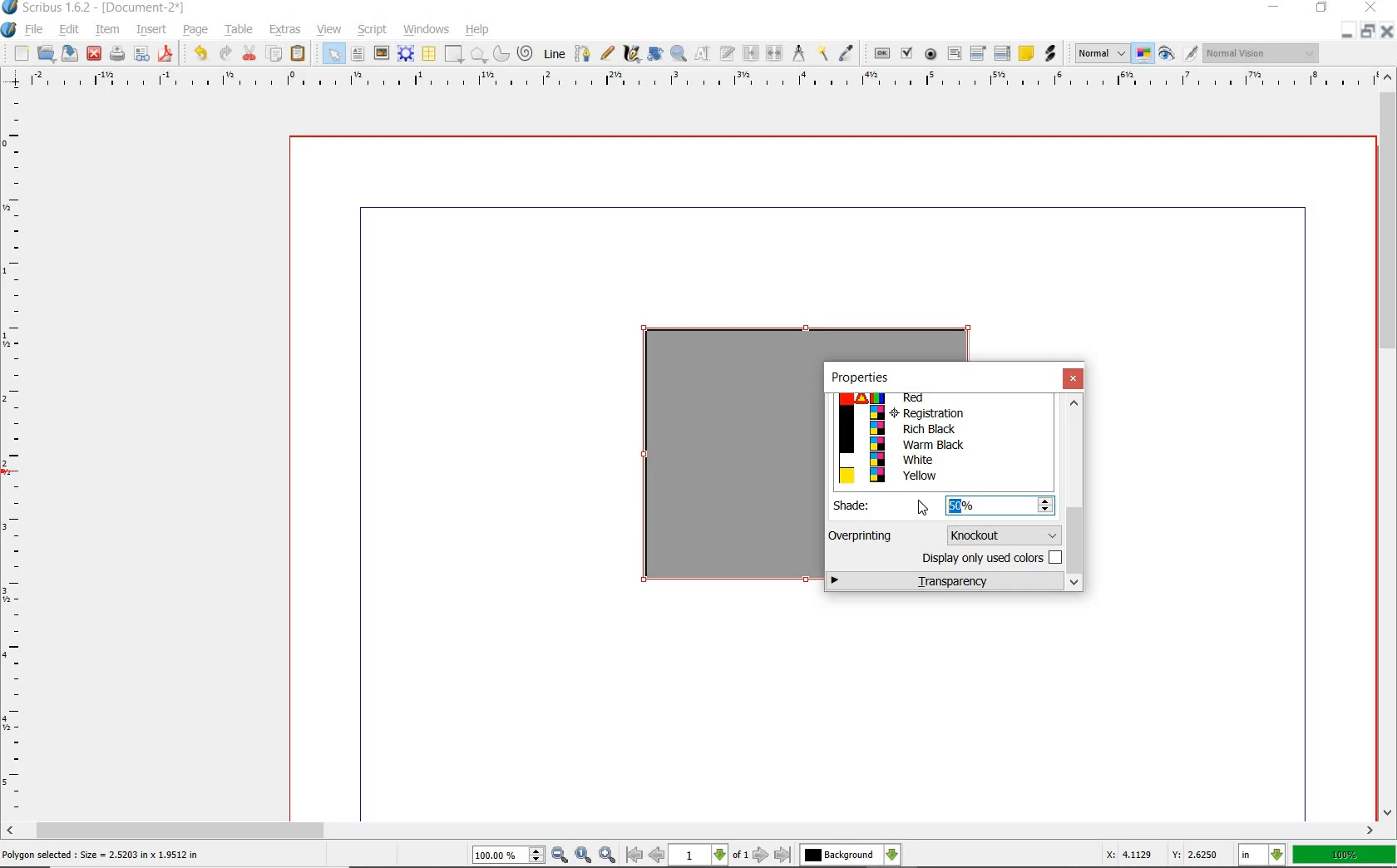 The image size is (1397, 868). Describe the element at coordinates (1345, 36) in the screenshot. I see `MINIMIZE` at that location.